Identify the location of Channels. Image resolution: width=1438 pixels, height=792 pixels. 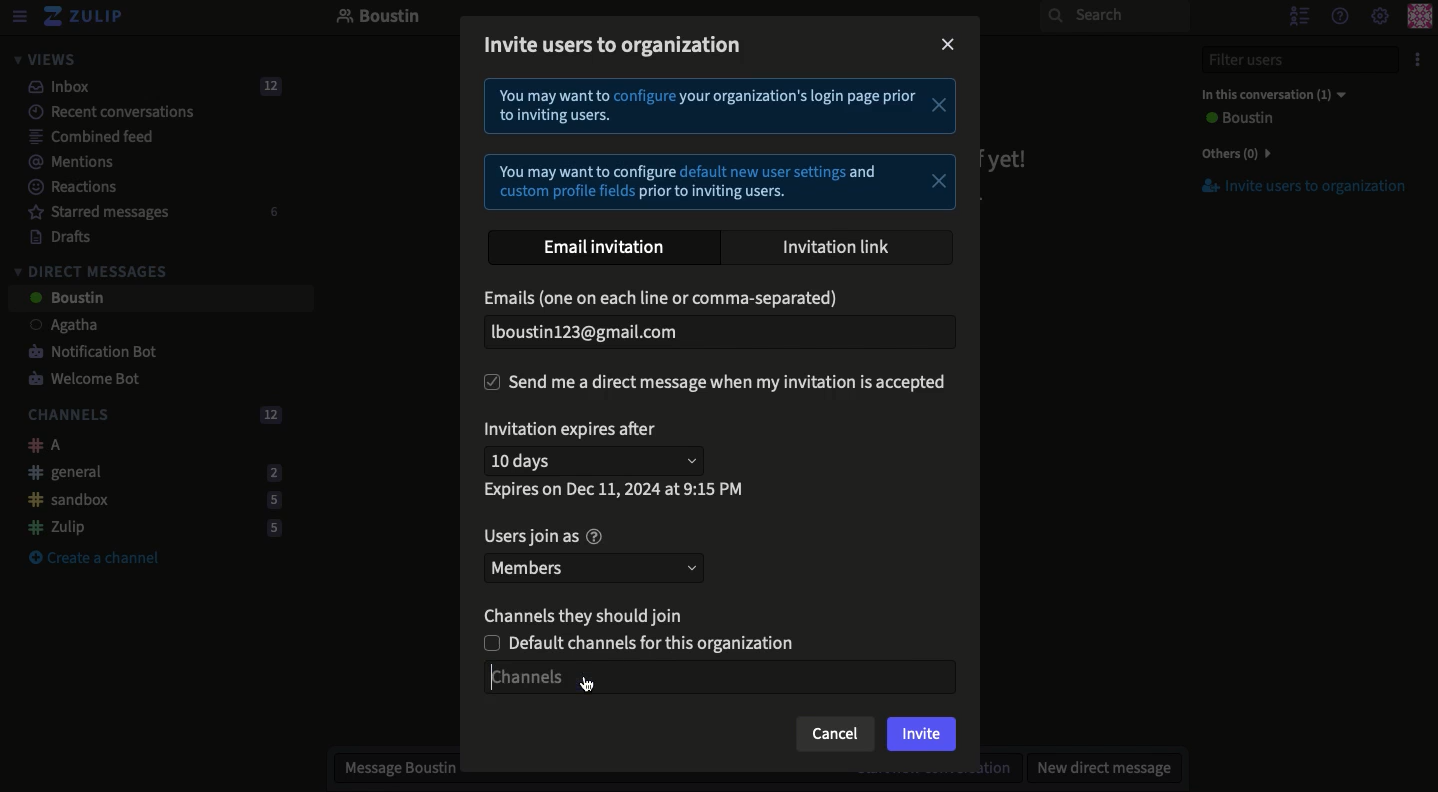
(150, 416).